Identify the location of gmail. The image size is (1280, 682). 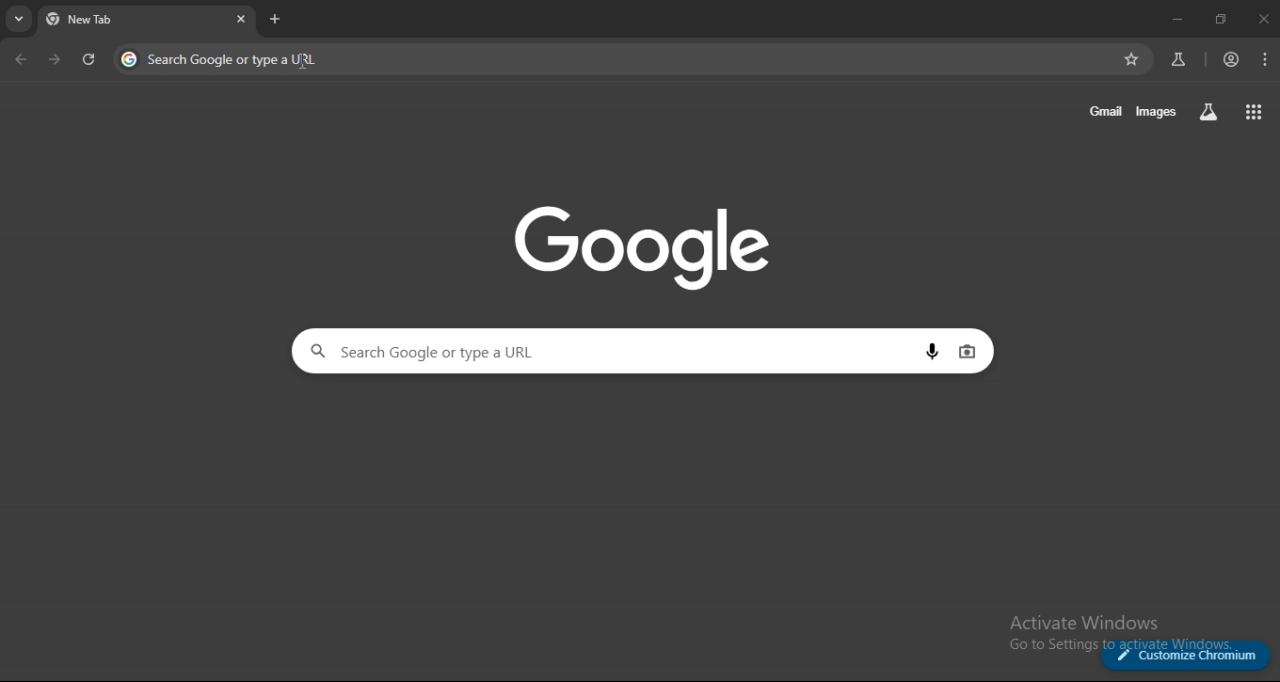
(1104, 113).